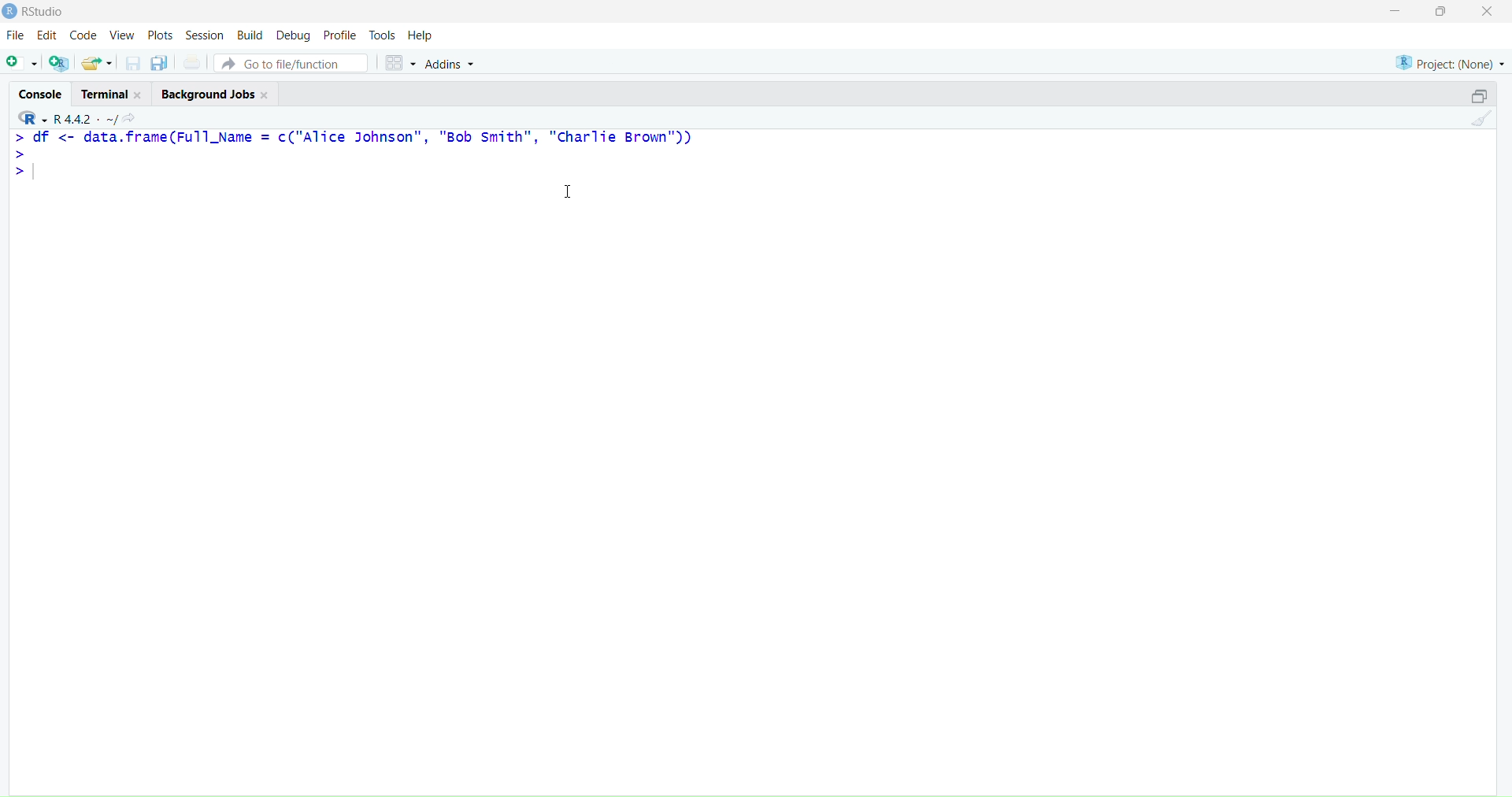  What do you see at coordinates (83, 36) in the screenshot?
I see `Code` at bounding box center [83, 36].